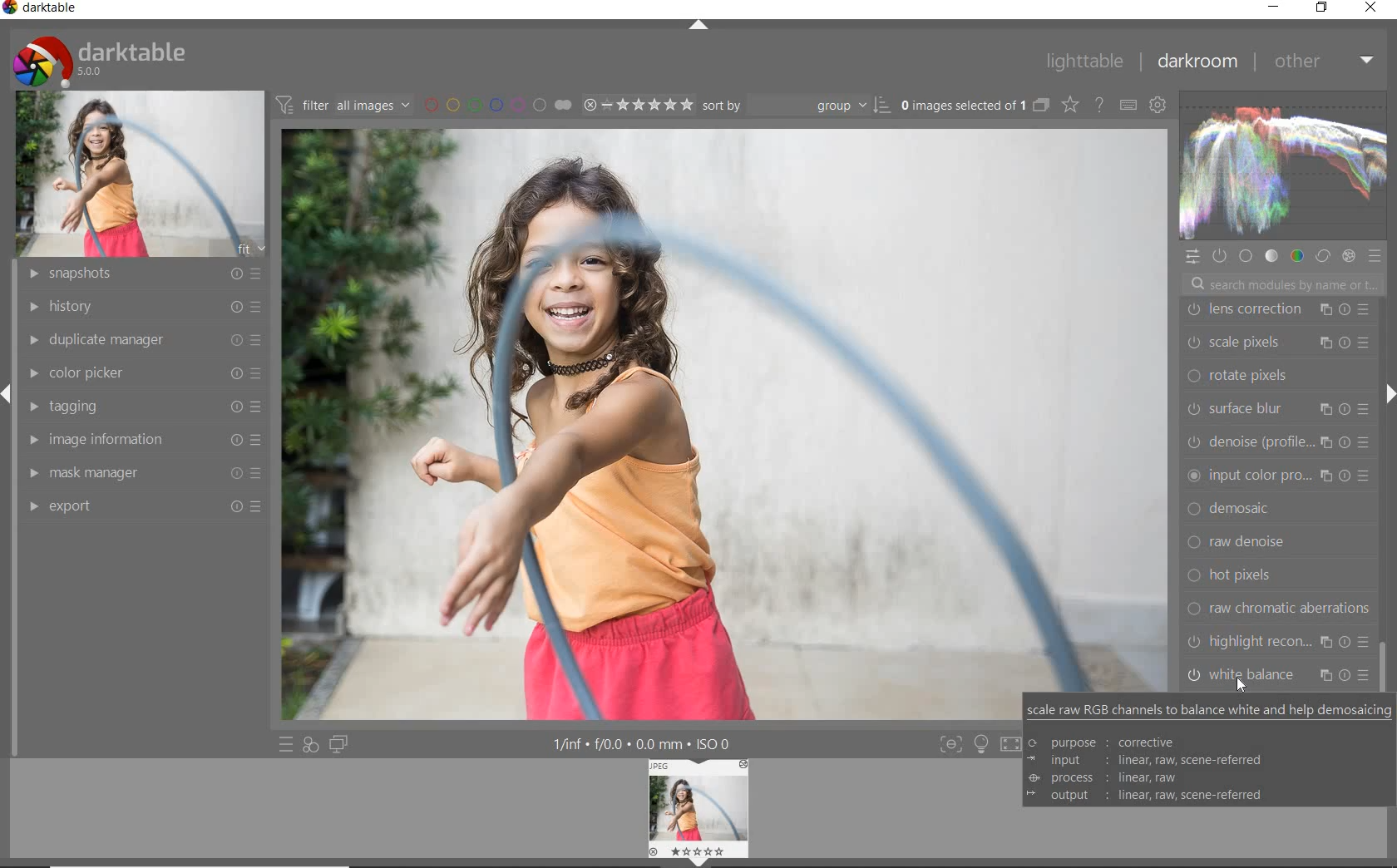 The height and width of the screenshot is (868, 1397). Describe the element at coordinates (1321, 7) in the screenshot. I see `restore` at that location.